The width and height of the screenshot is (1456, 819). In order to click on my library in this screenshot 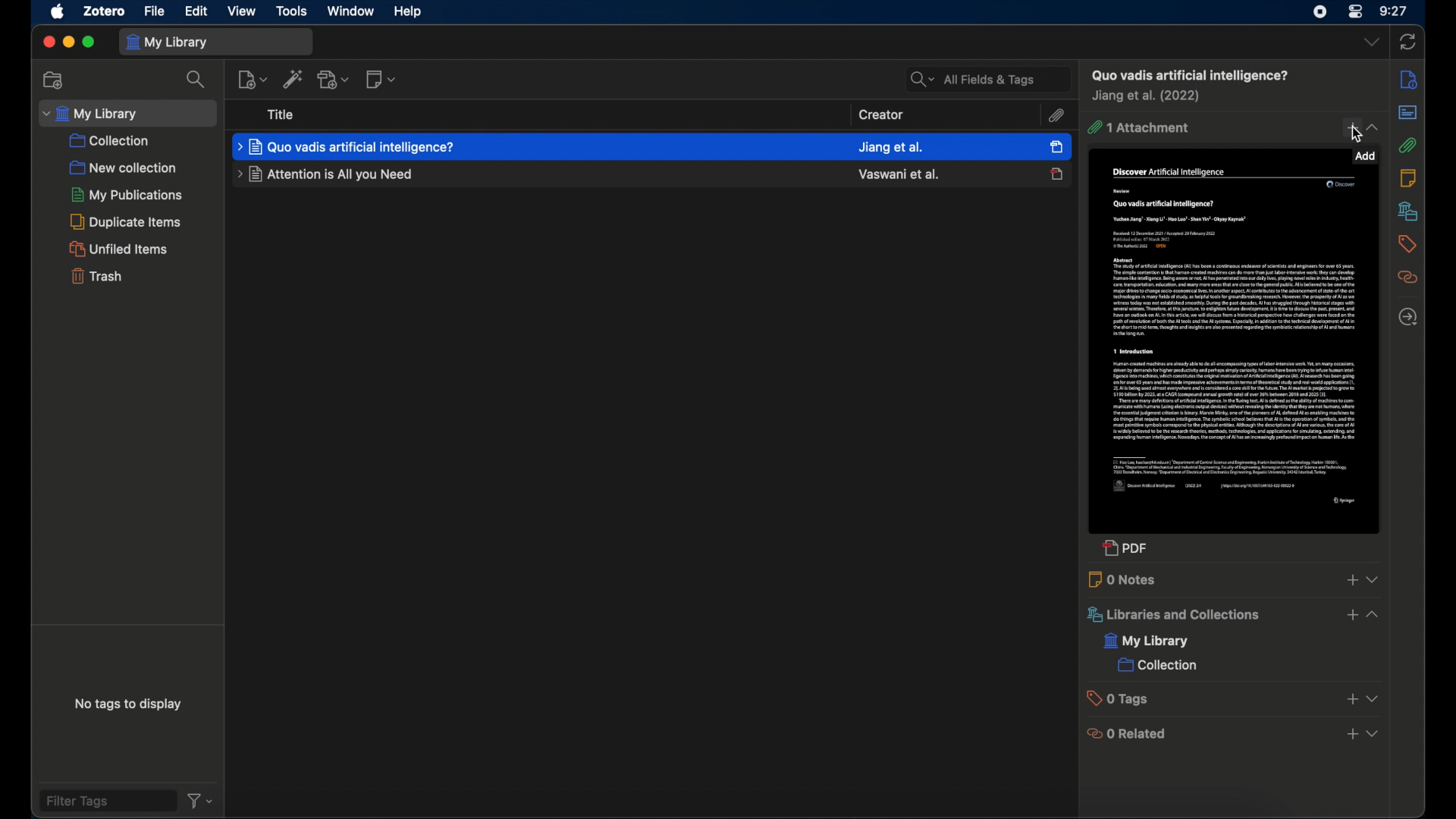, I will do `click(216, 41)`.